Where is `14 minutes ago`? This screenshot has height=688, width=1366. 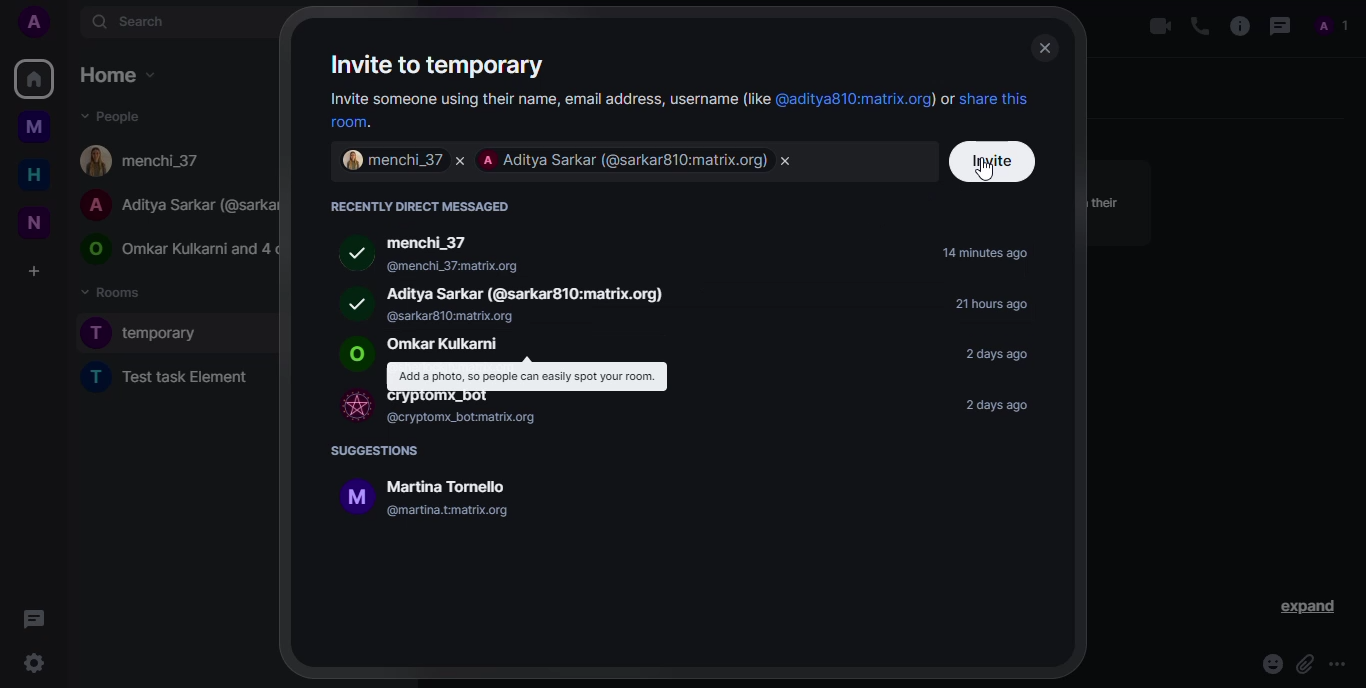
14 minutes ago is located at coordinates (987, 254).